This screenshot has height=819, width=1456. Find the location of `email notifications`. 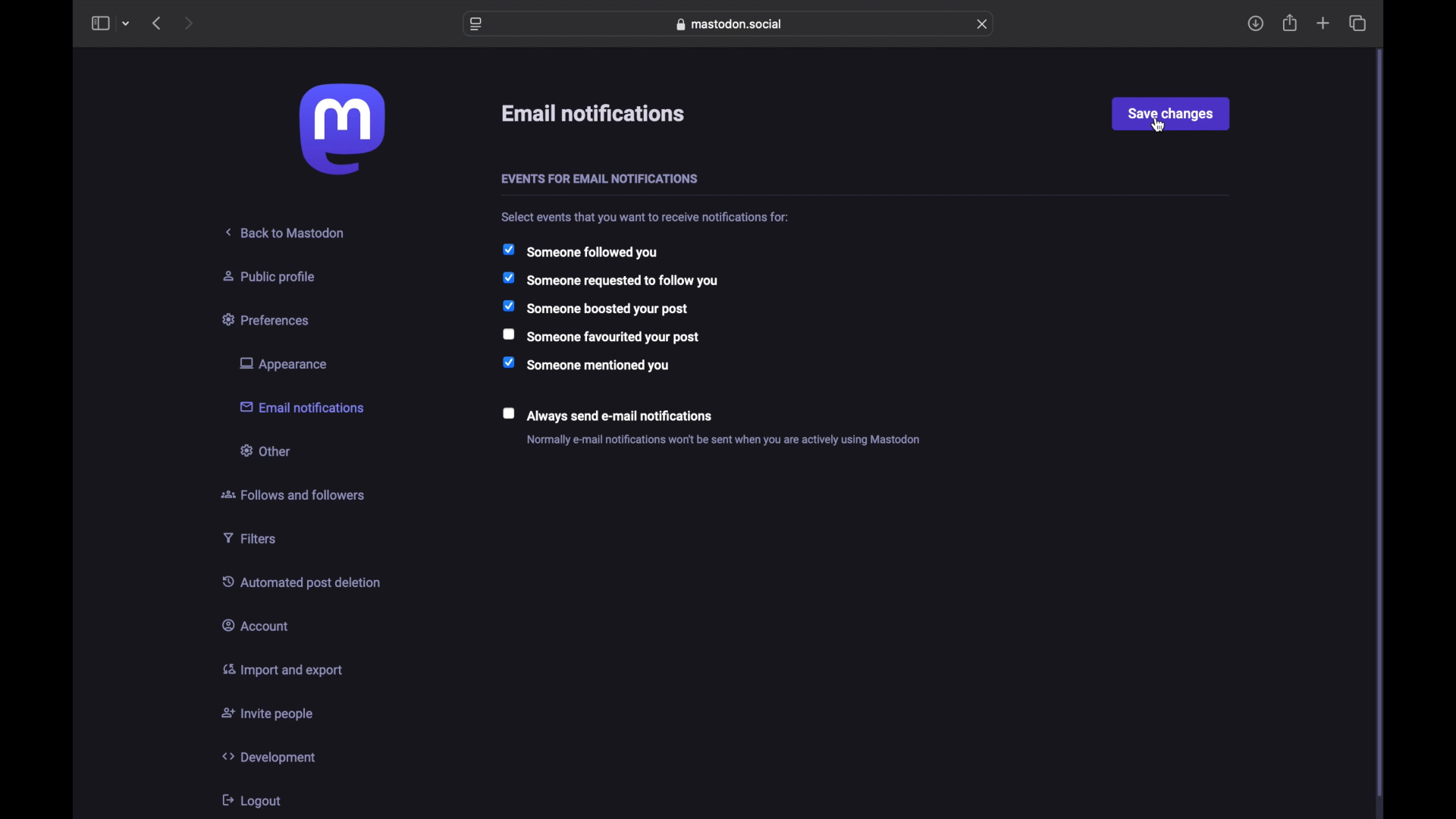

email notifications is located at coordinates (302, 406).